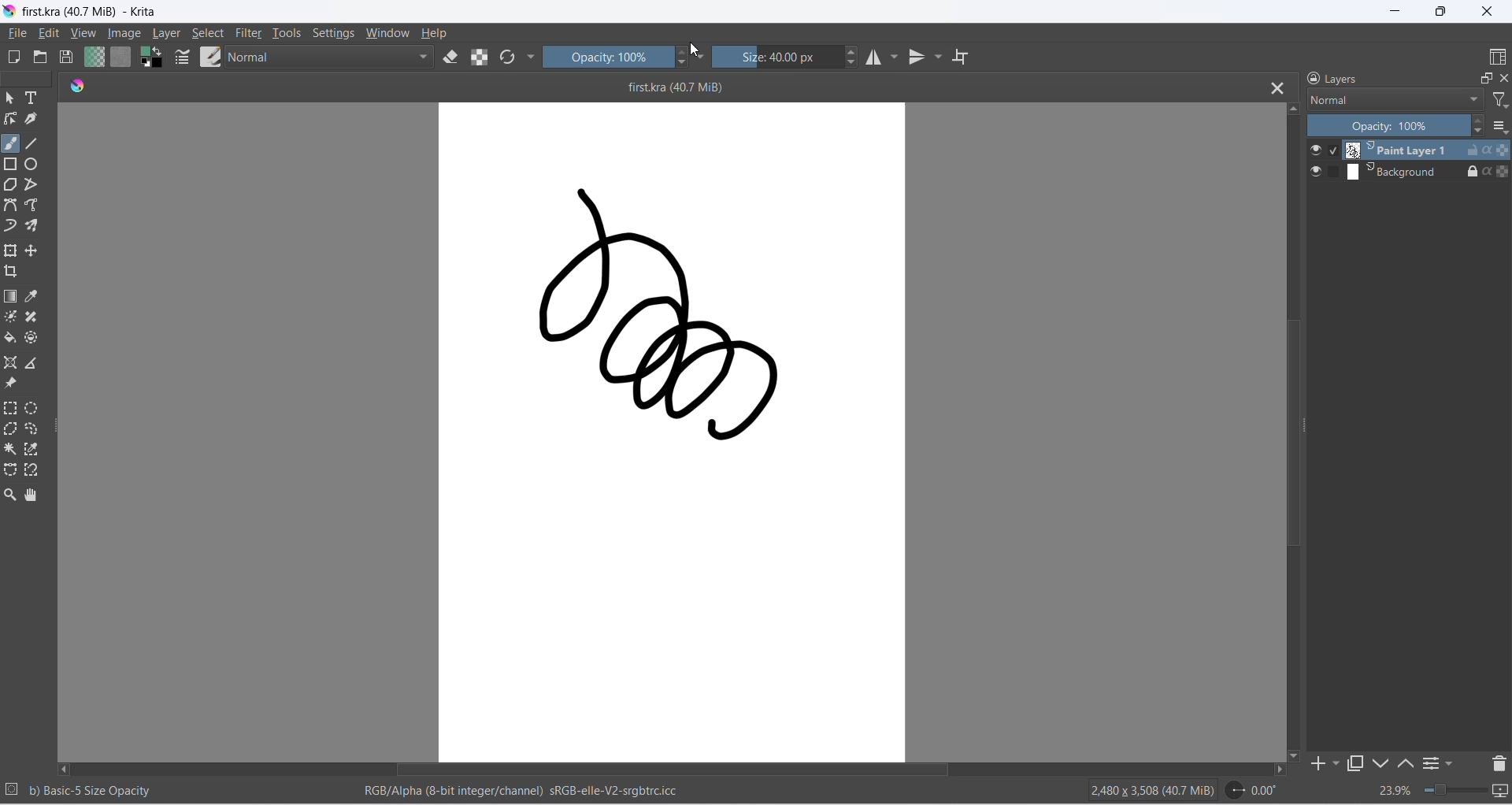  I want to click on rectangle tool, so click(10, 164).